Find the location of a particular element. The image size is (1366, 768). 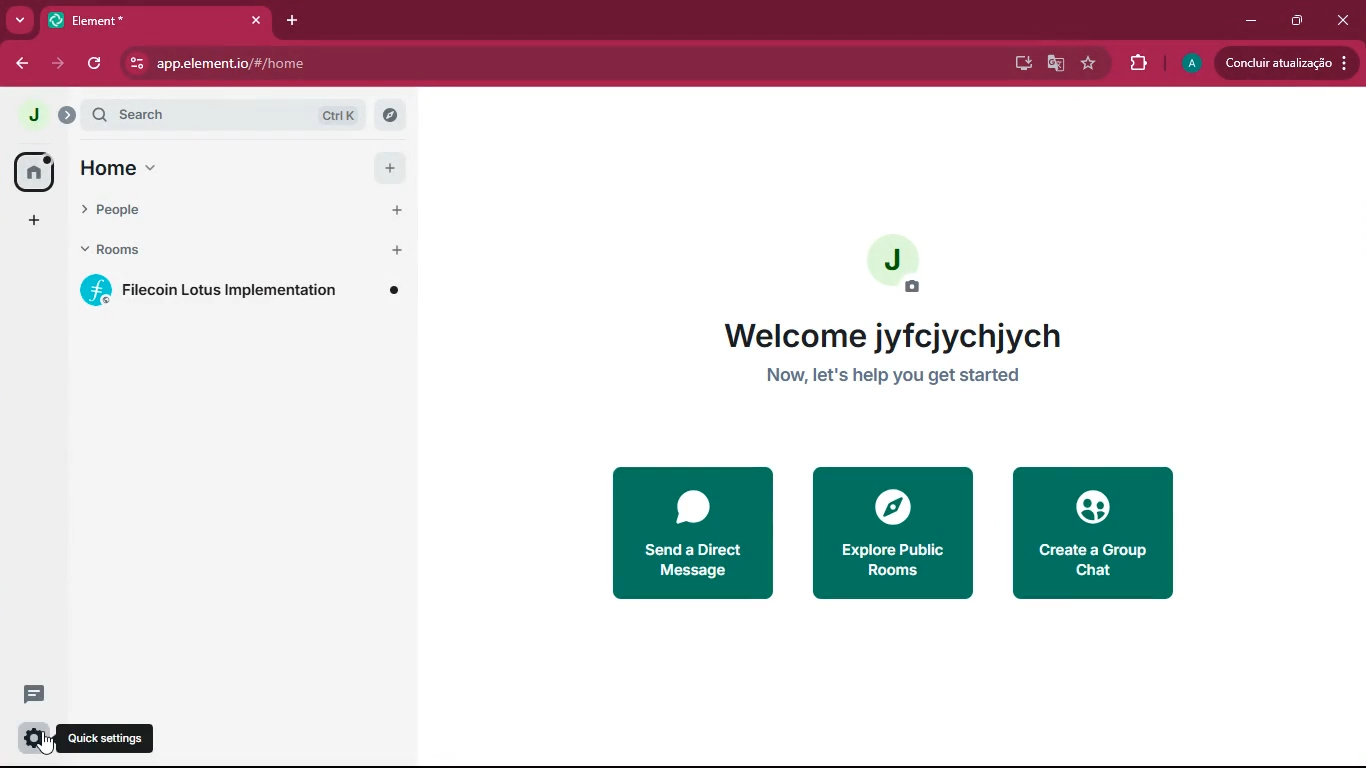

back is located at coordinates (21, 64).